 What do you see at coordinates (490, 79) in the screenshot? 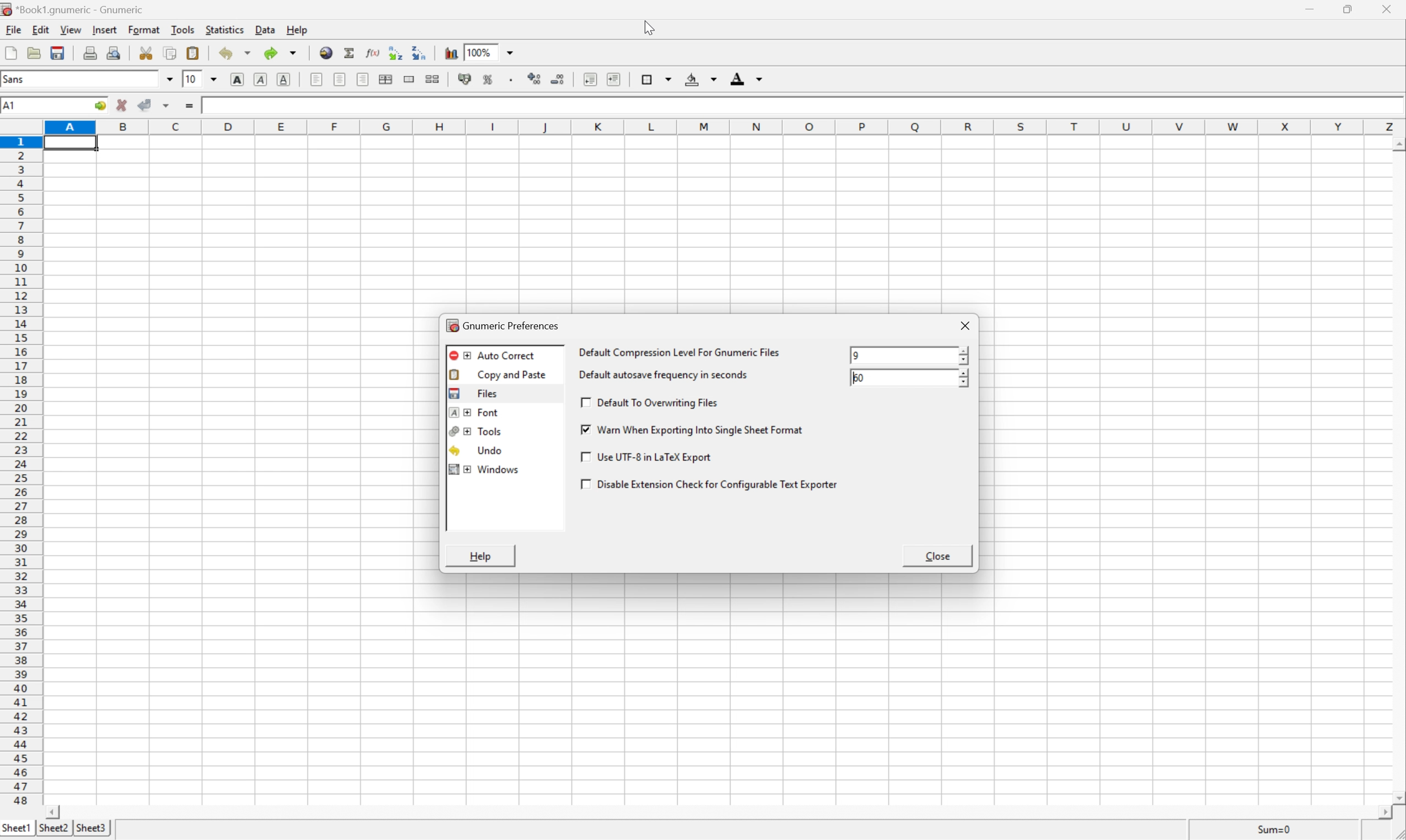
I see `format selection as percentage` at bounding box center [490, 79].